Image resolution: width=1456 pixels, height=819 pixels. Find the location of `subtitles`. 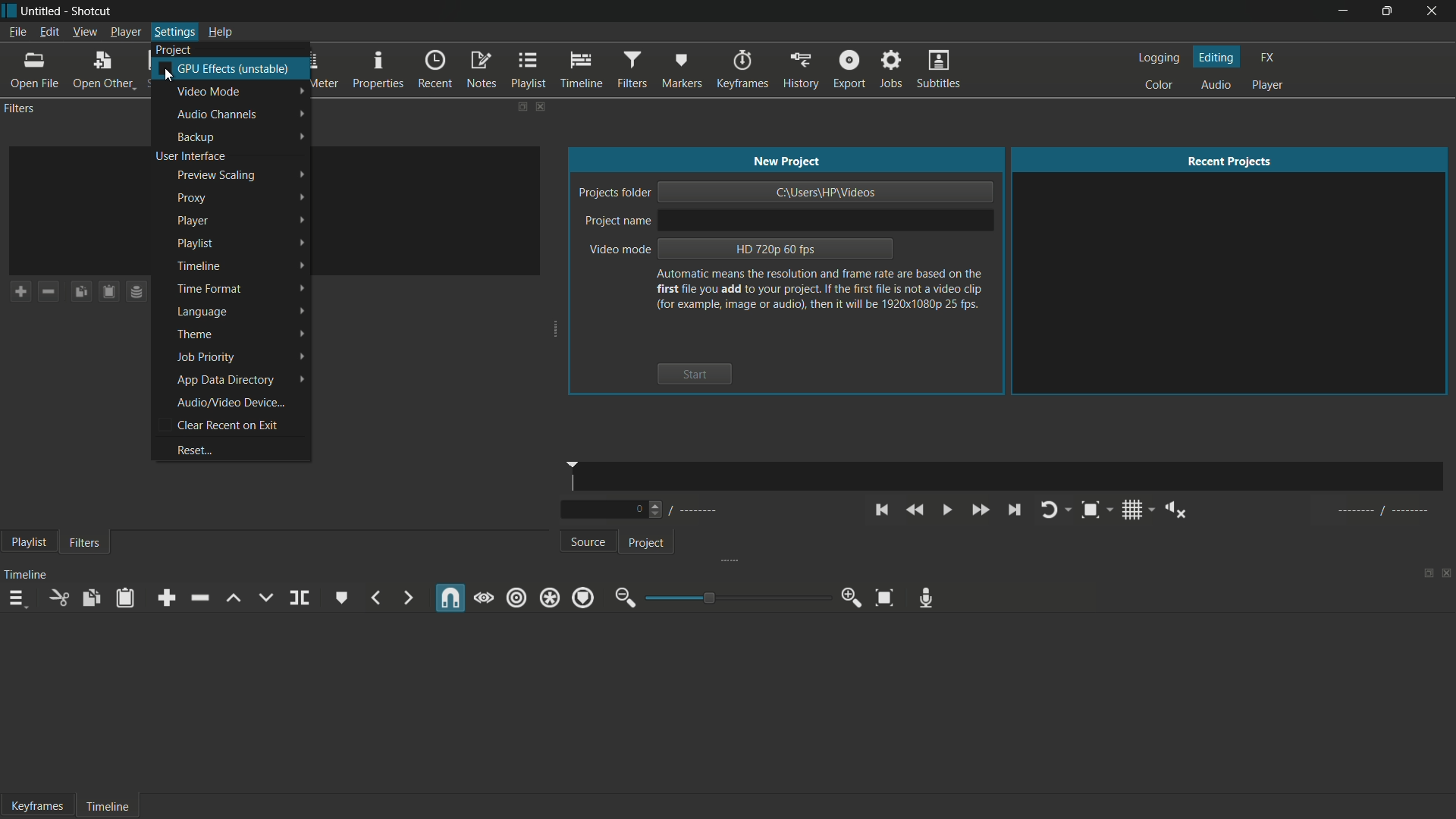

subtitles is located at coordinates (938, 68).